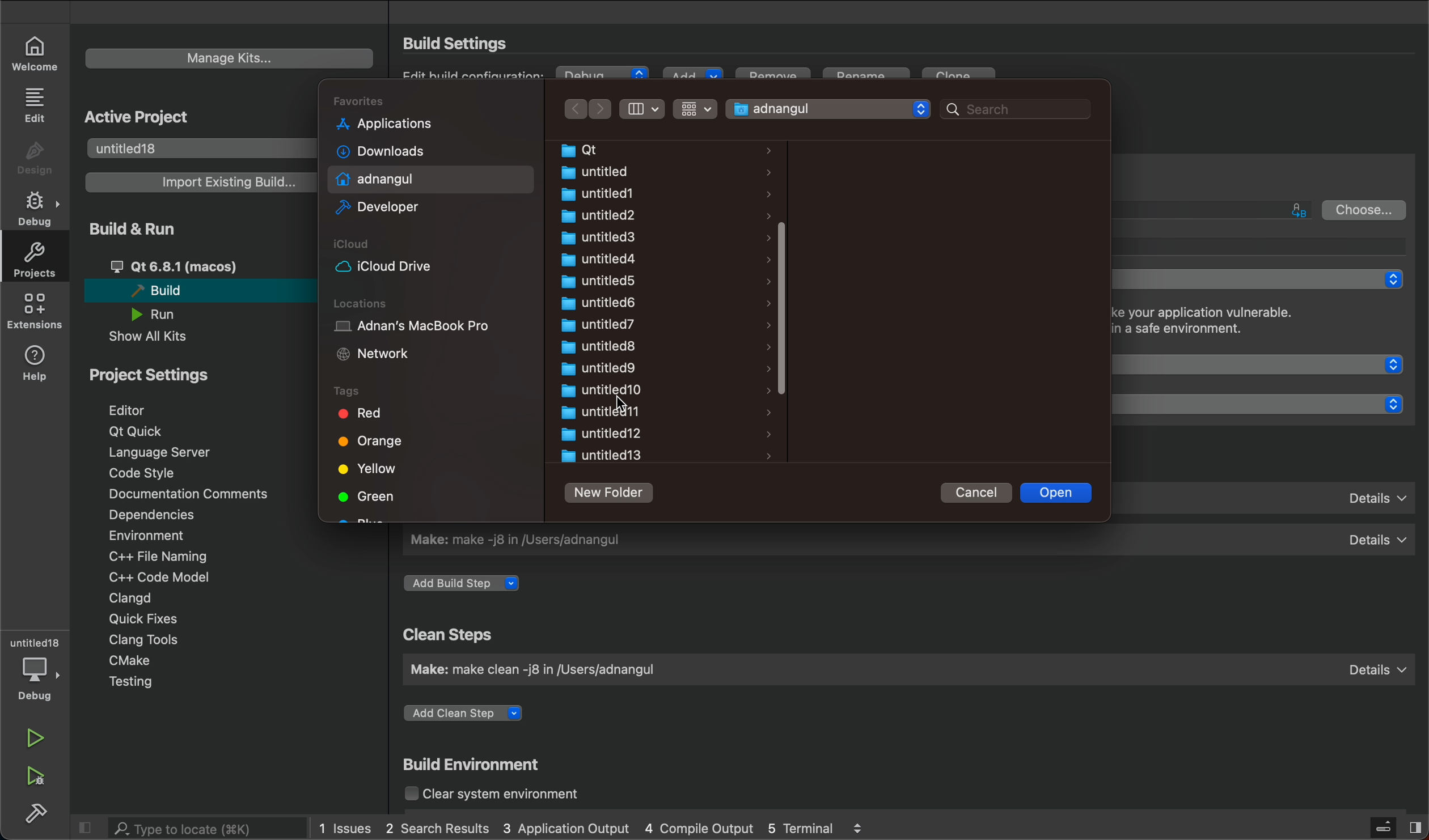  Describe the element at coordinates (650, 215) in the screenshot. I see `untitled2` at that location.